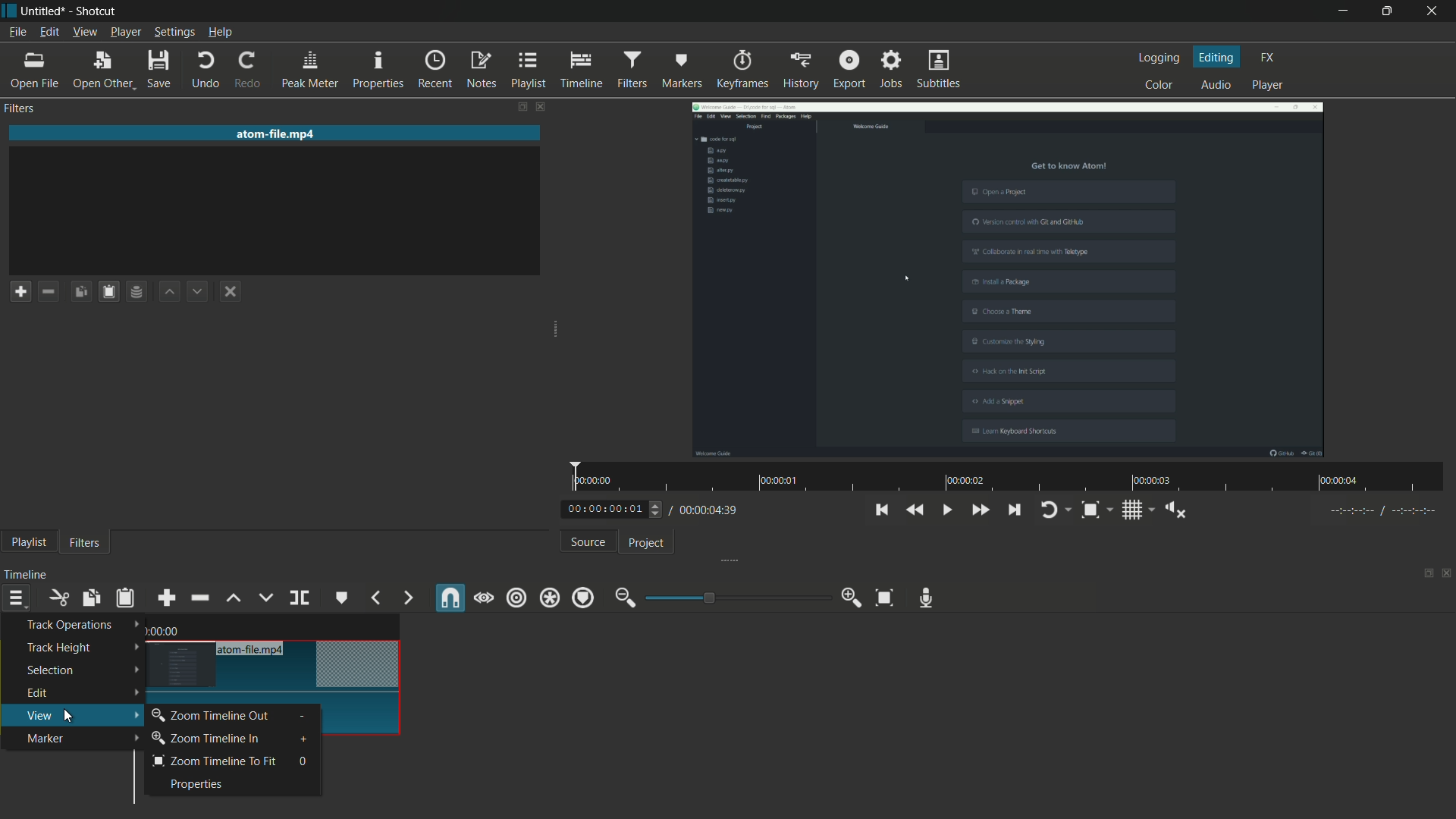 The image size is (1456, 819). I want to click on quickly play forward, so click(979, 510).